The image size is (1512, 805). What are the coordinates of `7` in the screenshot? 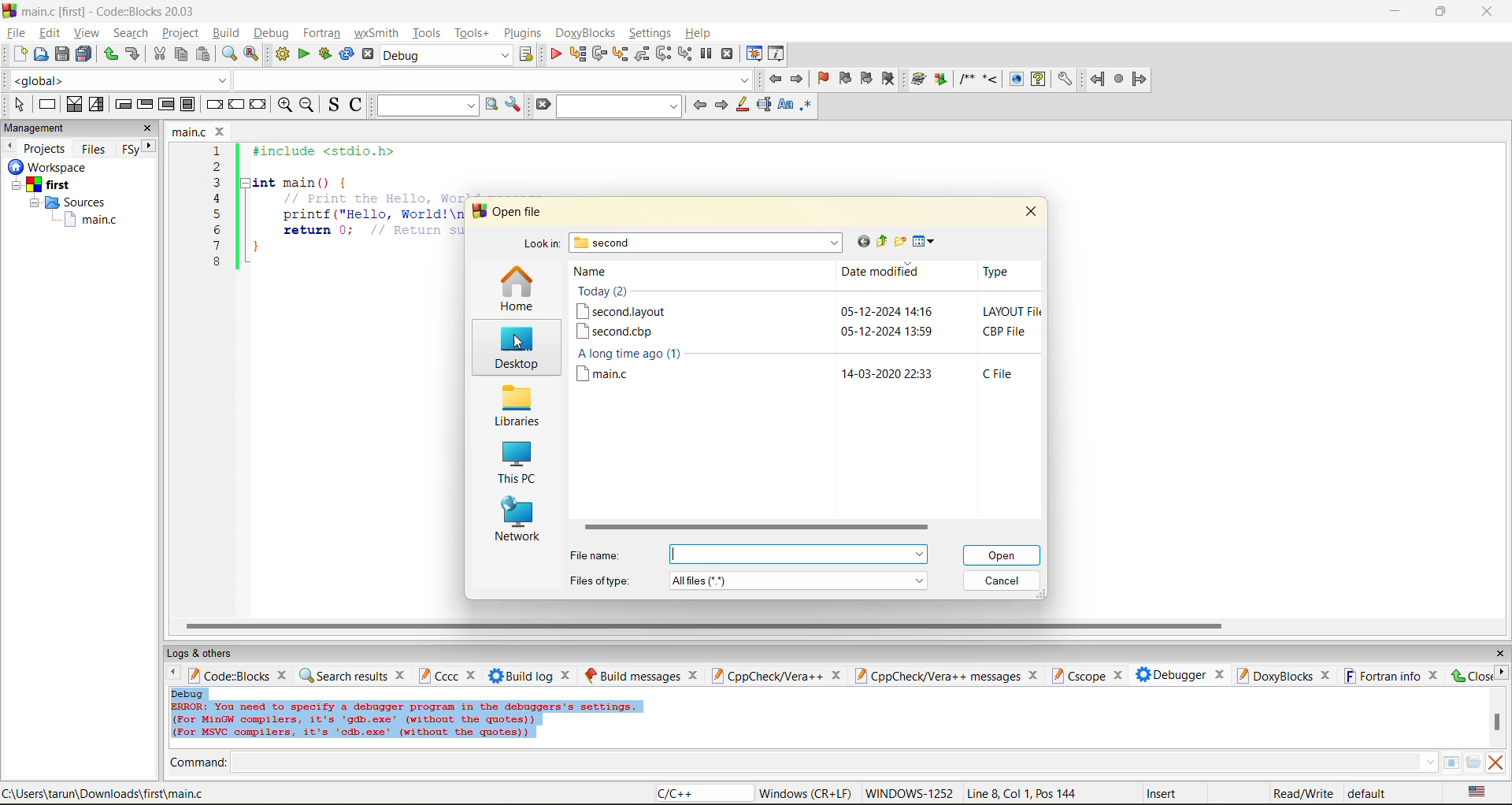 It's located at (217, 246).